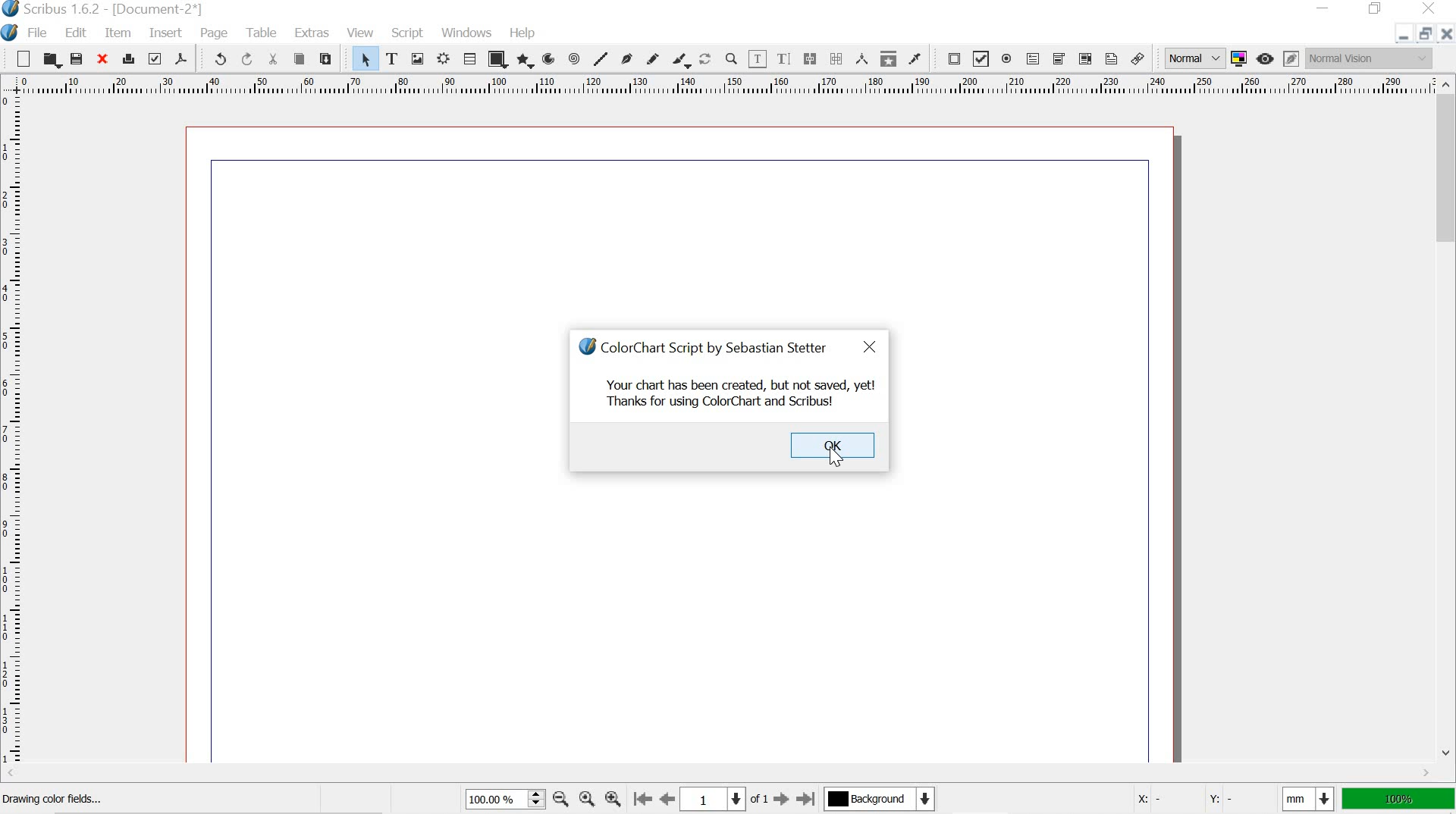 This screenshot has height=814, width=1456. Describe the element at coordinates (466, 32) in the screenshot. I see `windows` at that location.